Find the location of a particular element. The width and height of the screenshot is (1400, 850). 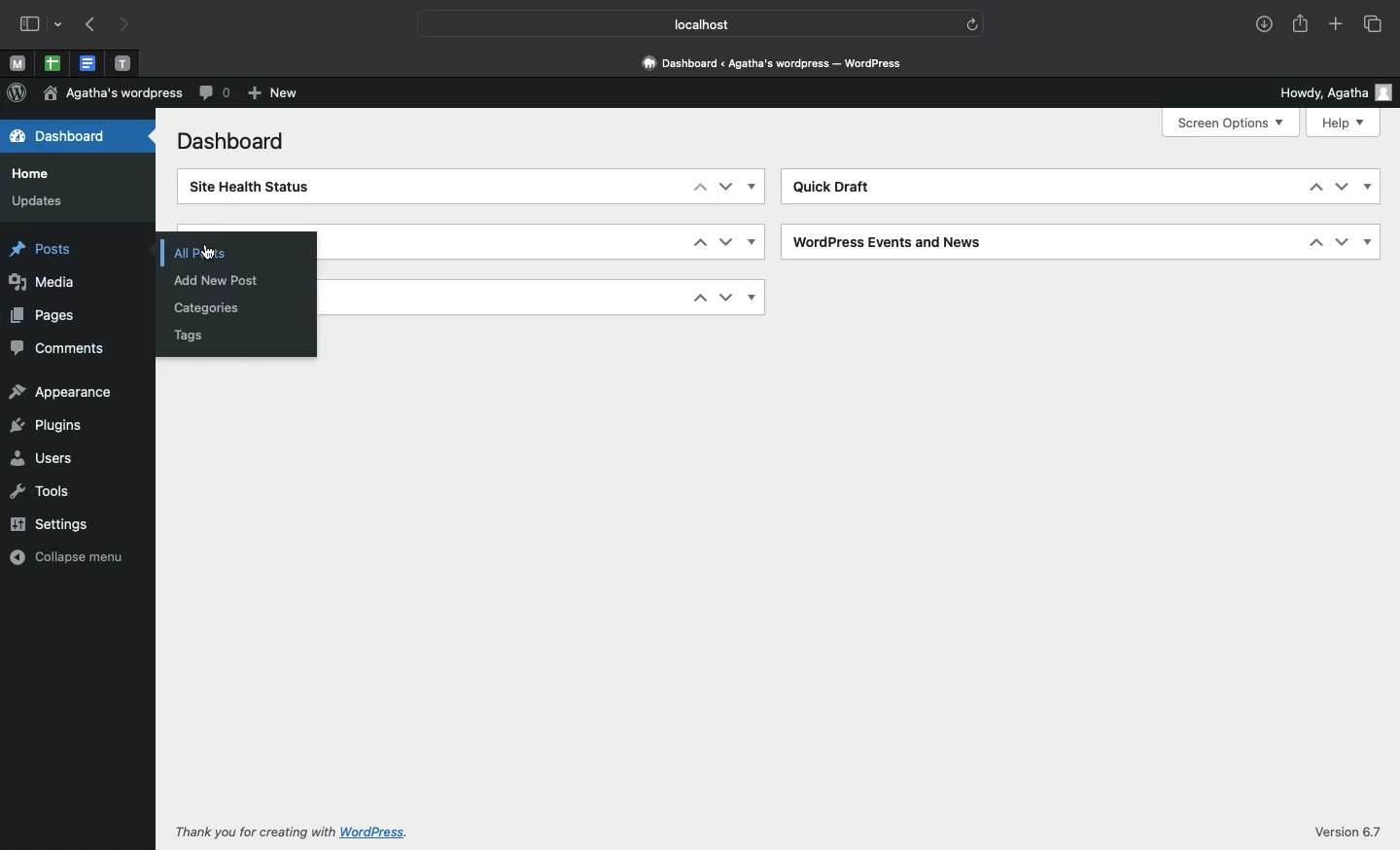

Dashboard is located at coordinates (779, 62).